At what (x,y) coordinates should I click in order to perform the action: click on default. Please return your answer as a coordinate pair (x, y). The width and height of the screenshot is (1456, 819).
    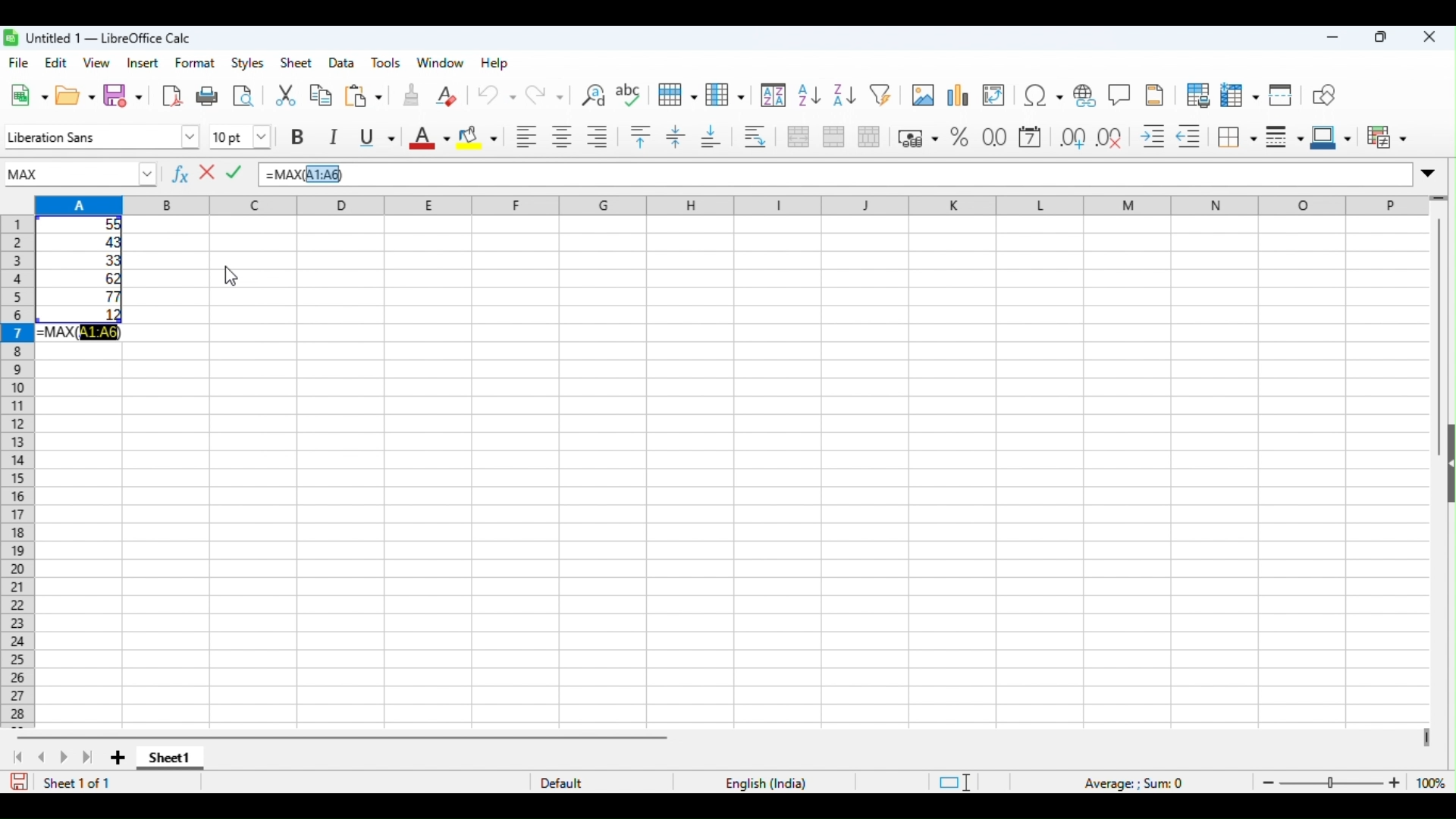
    Looking at the image, I should click on (567, 783).